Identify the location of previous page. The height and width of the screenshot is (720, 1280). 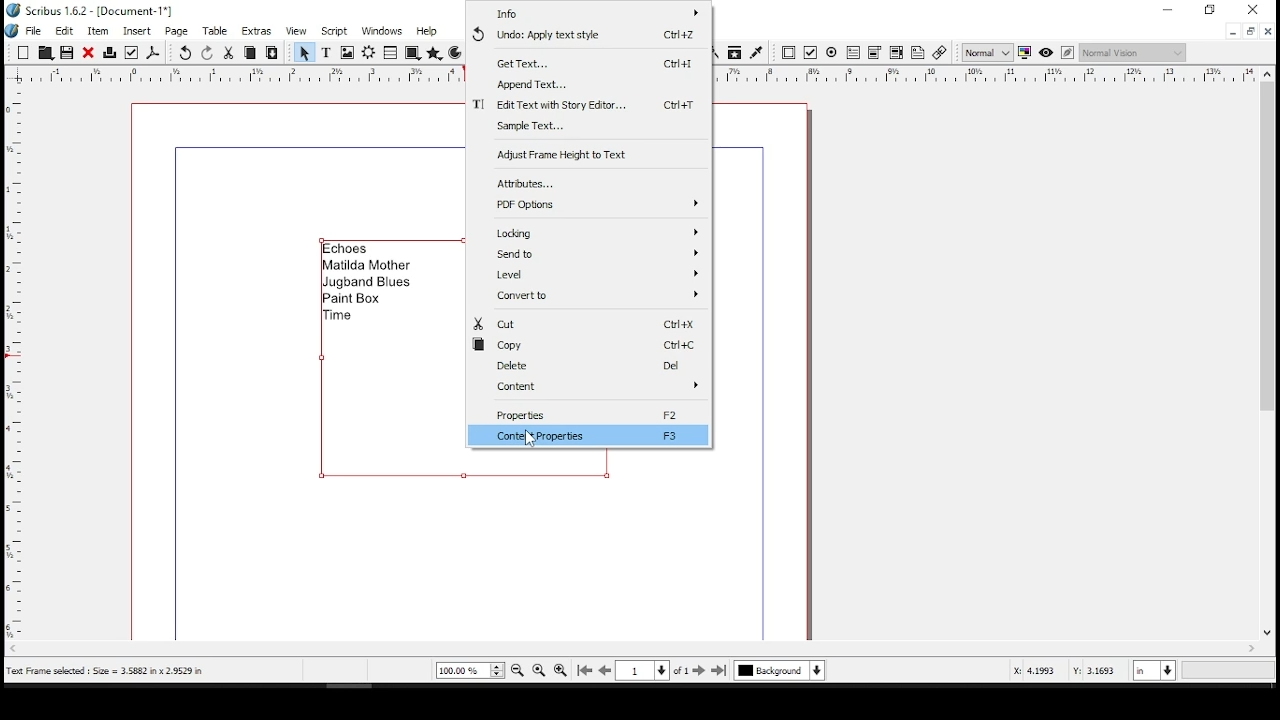
(606, 670).